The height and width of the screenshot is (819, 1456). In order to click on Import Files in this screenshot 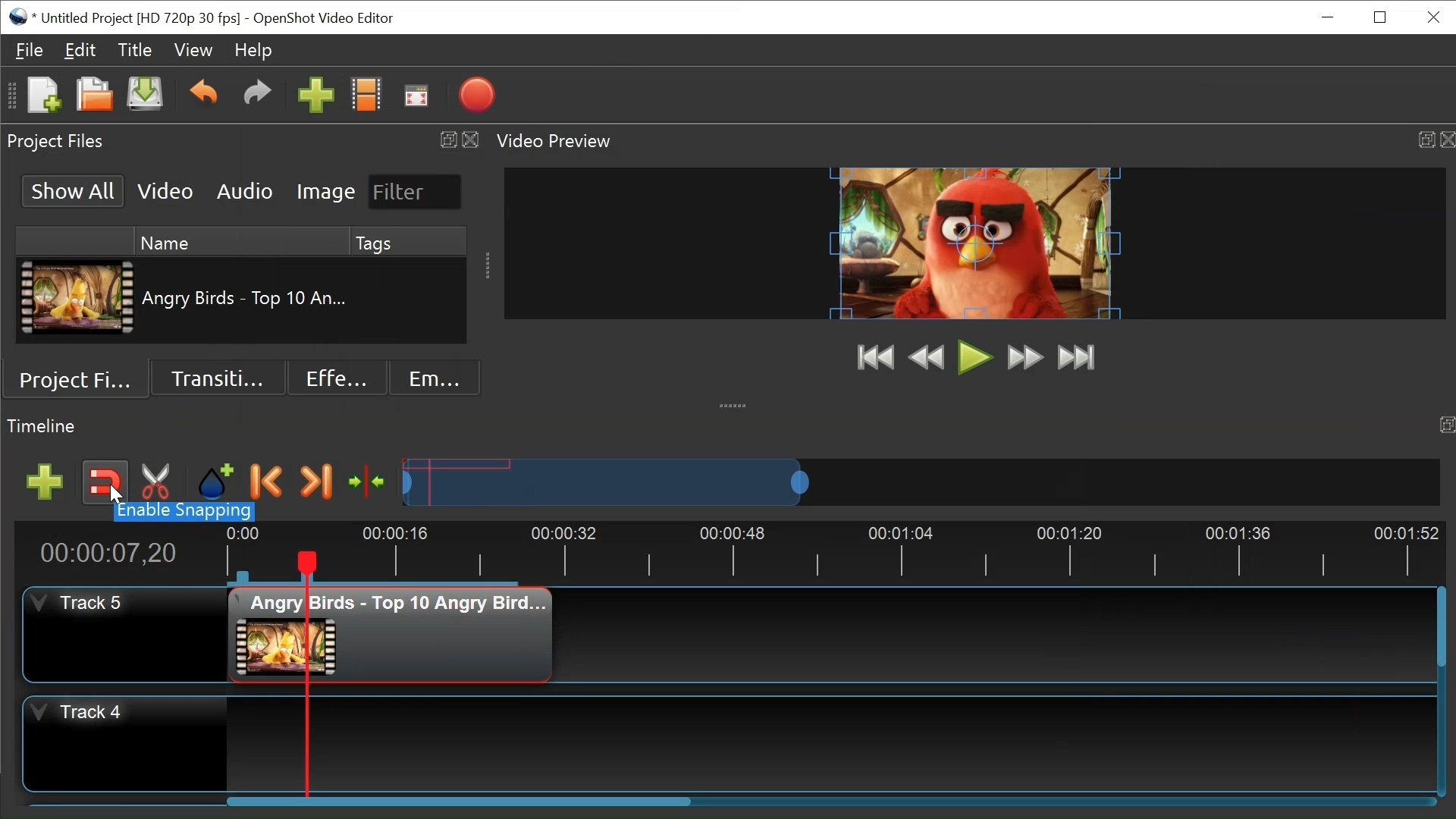, I will do `click(315, 96)`.